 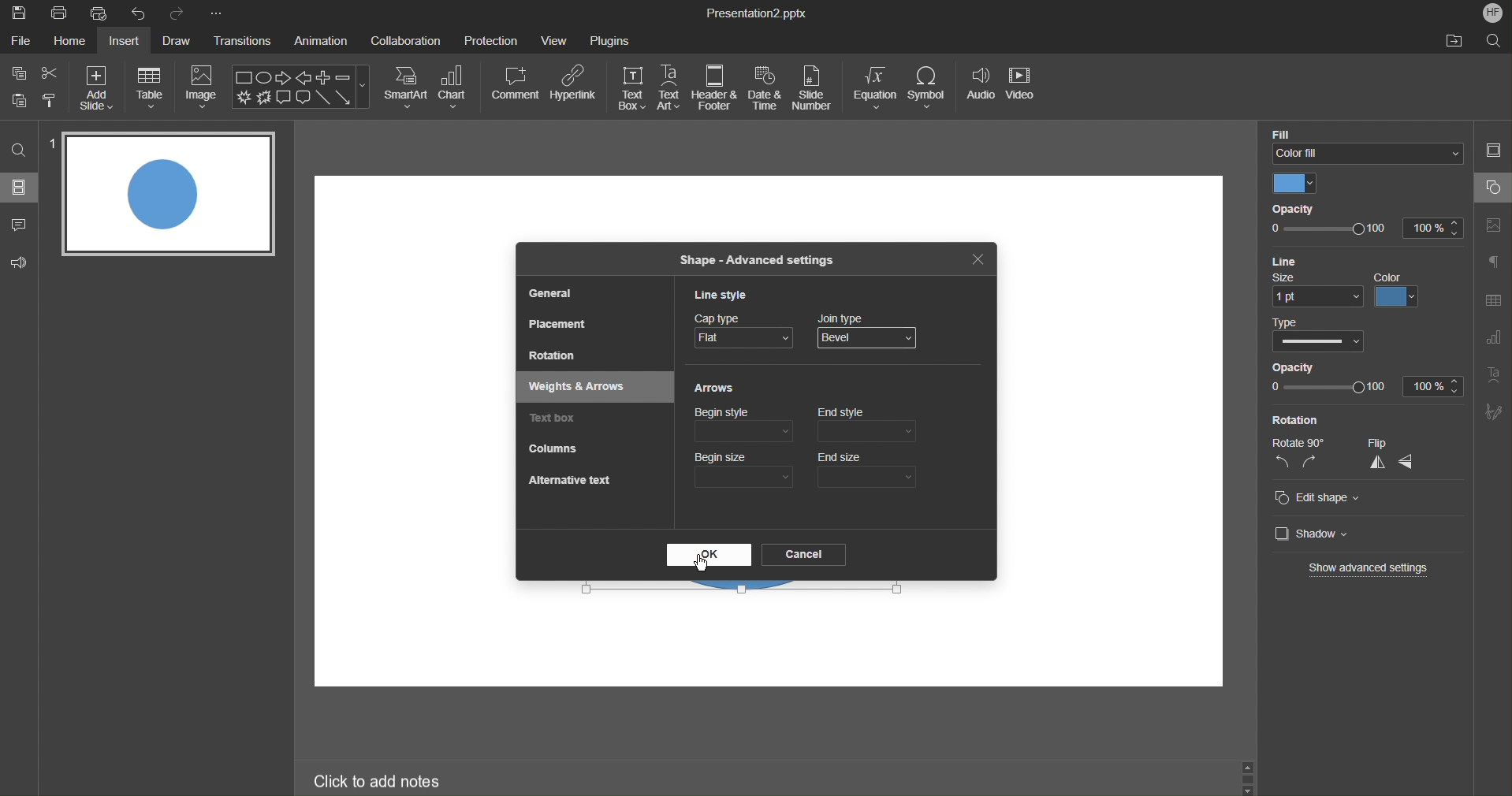 What do you see at coordinates (1490, 340) in the screenshot?
I see `Graph Settings` at bounding box center [1490, 340].